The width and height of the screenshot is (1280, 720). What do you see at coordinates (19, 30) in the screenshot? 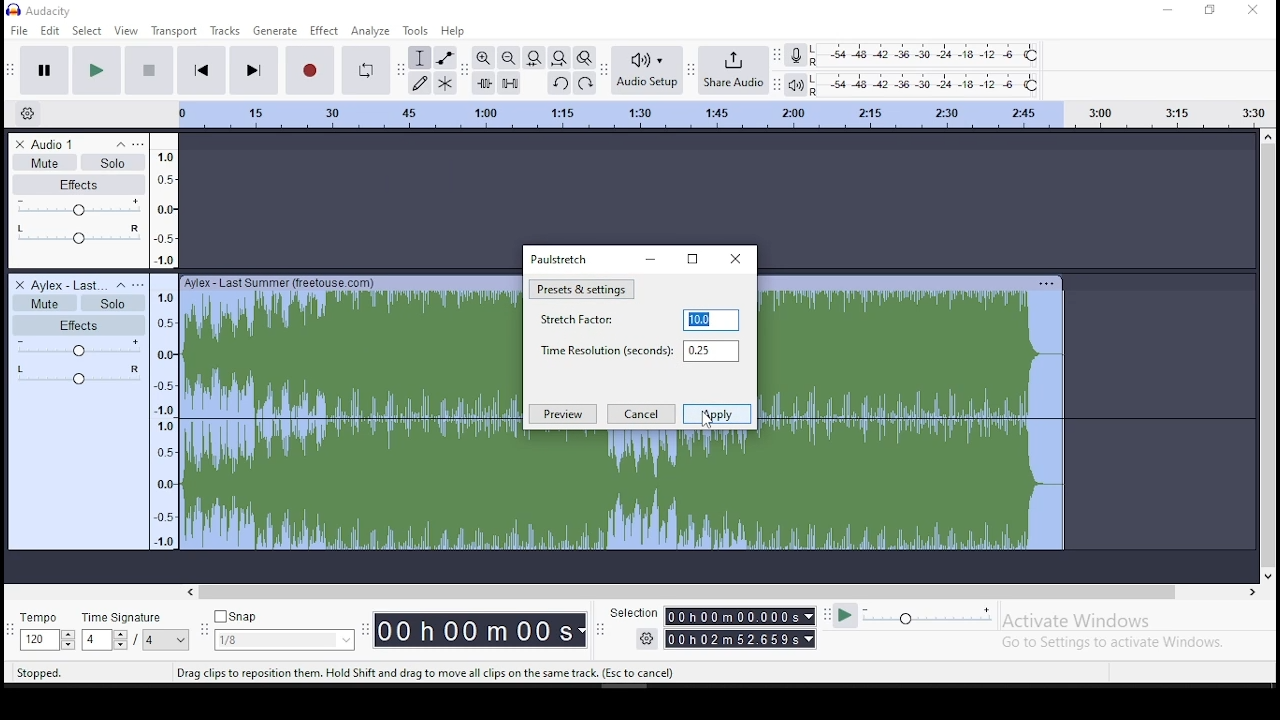
I see `file` at bounding box center [19, 30].